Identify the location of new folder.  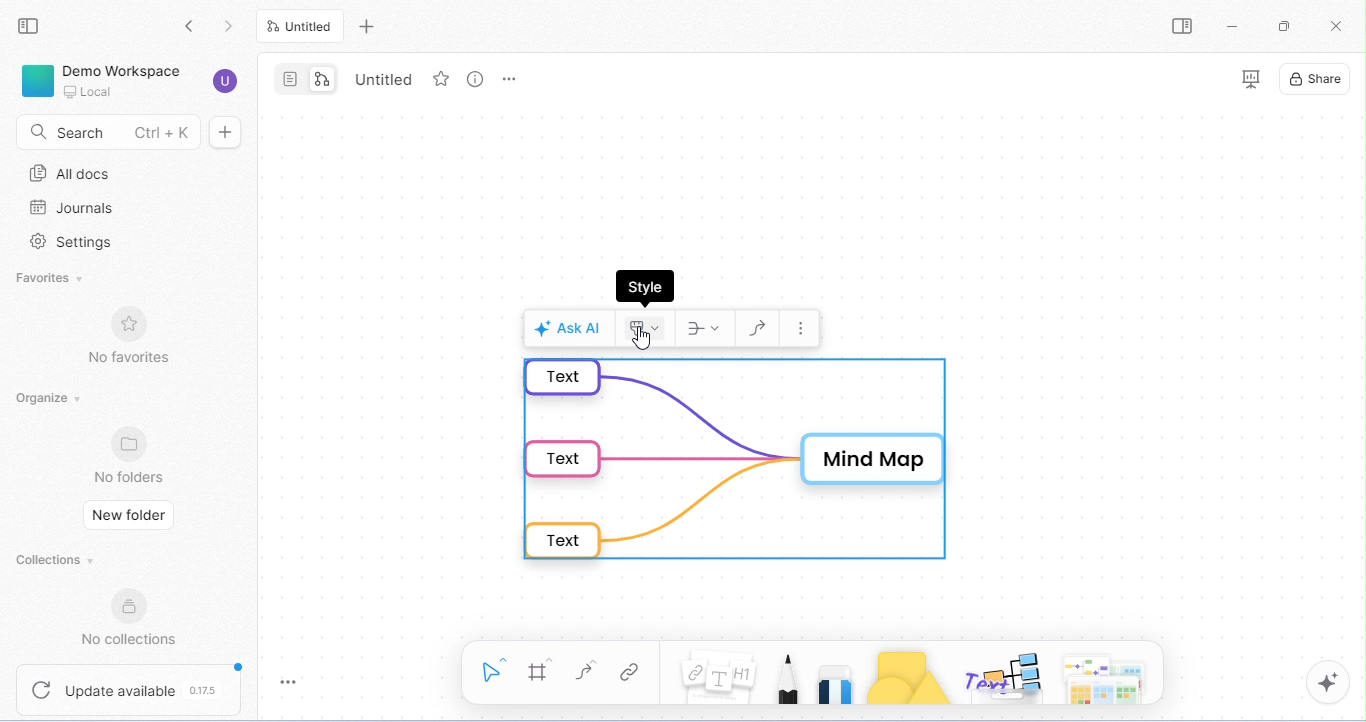
(128, 513).